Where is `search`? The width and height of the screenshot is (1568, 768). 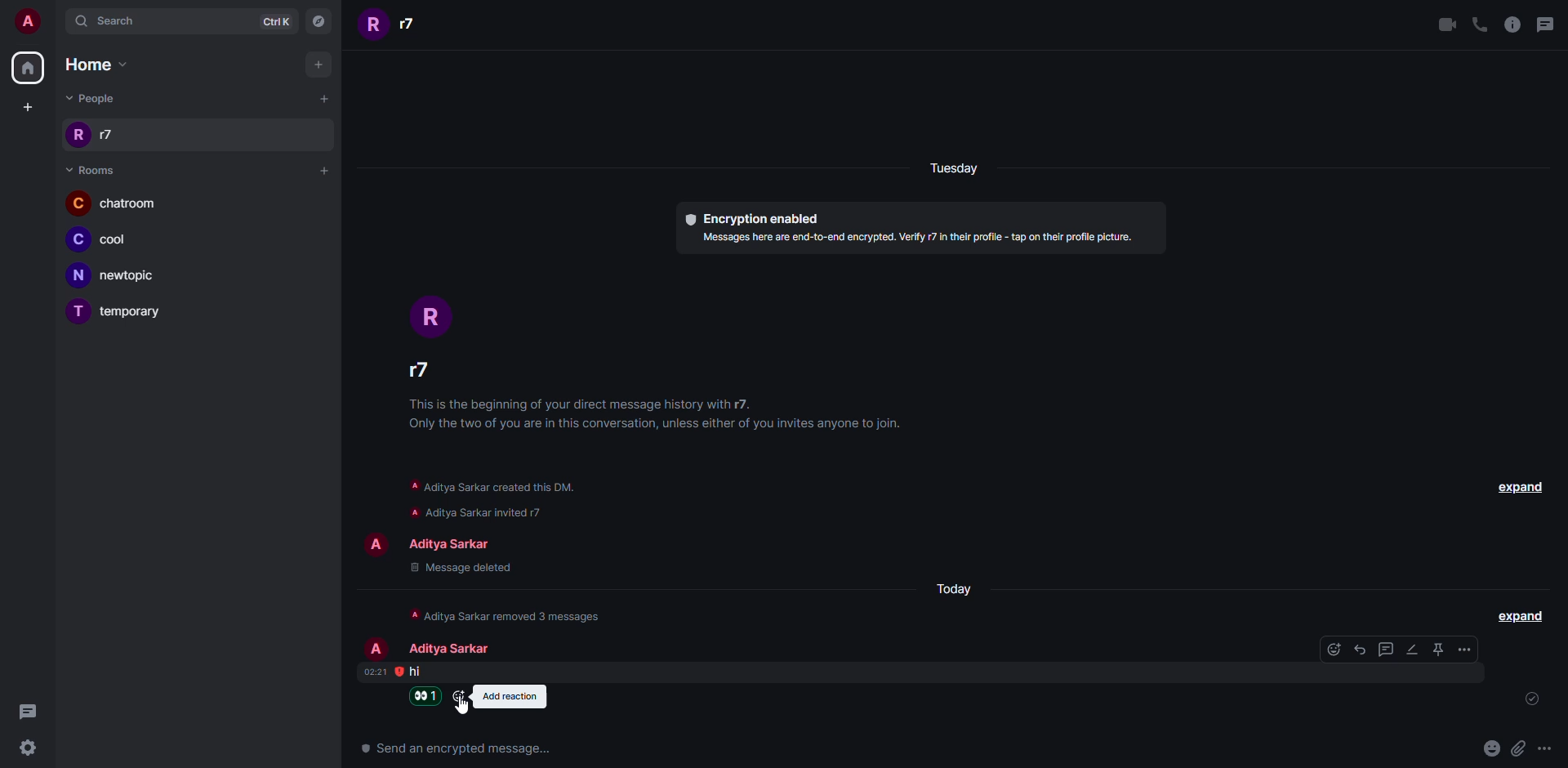
search is located at coordinates (111, 21).